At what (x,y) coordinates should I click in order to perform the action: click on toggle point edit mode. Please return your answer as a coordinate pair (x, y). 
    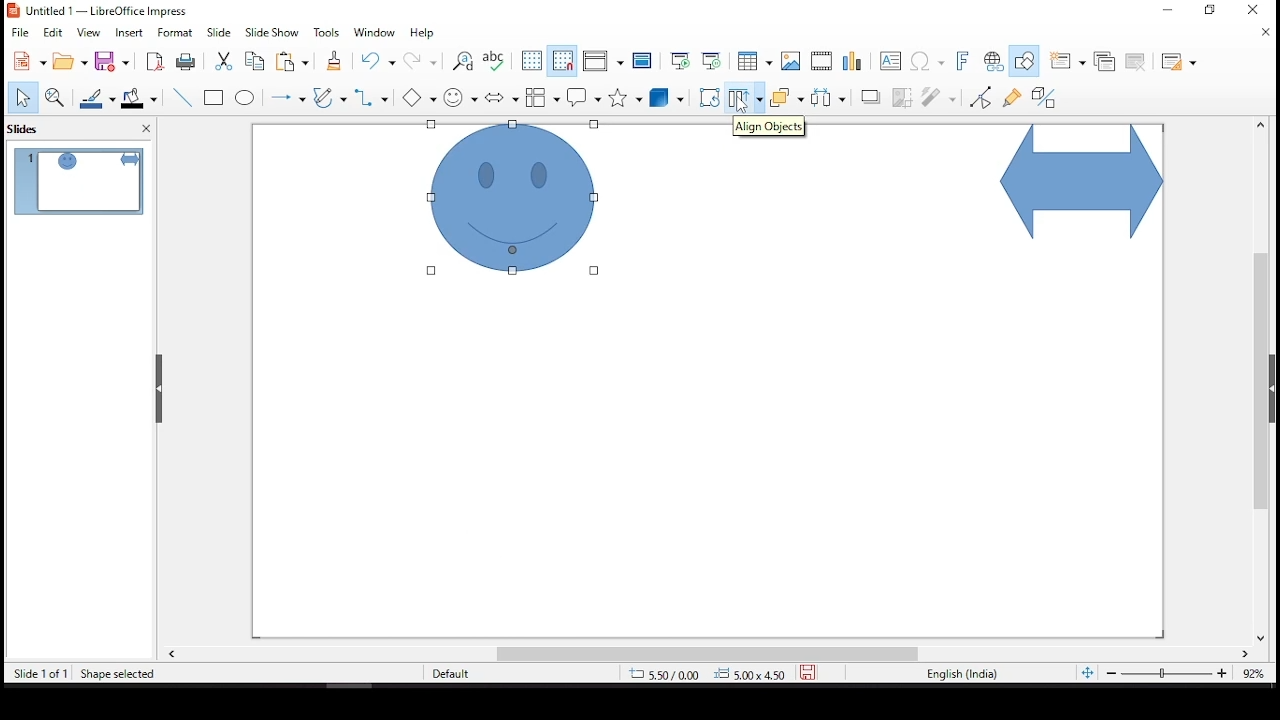
    Looking at the image, I should click on (982, 96).